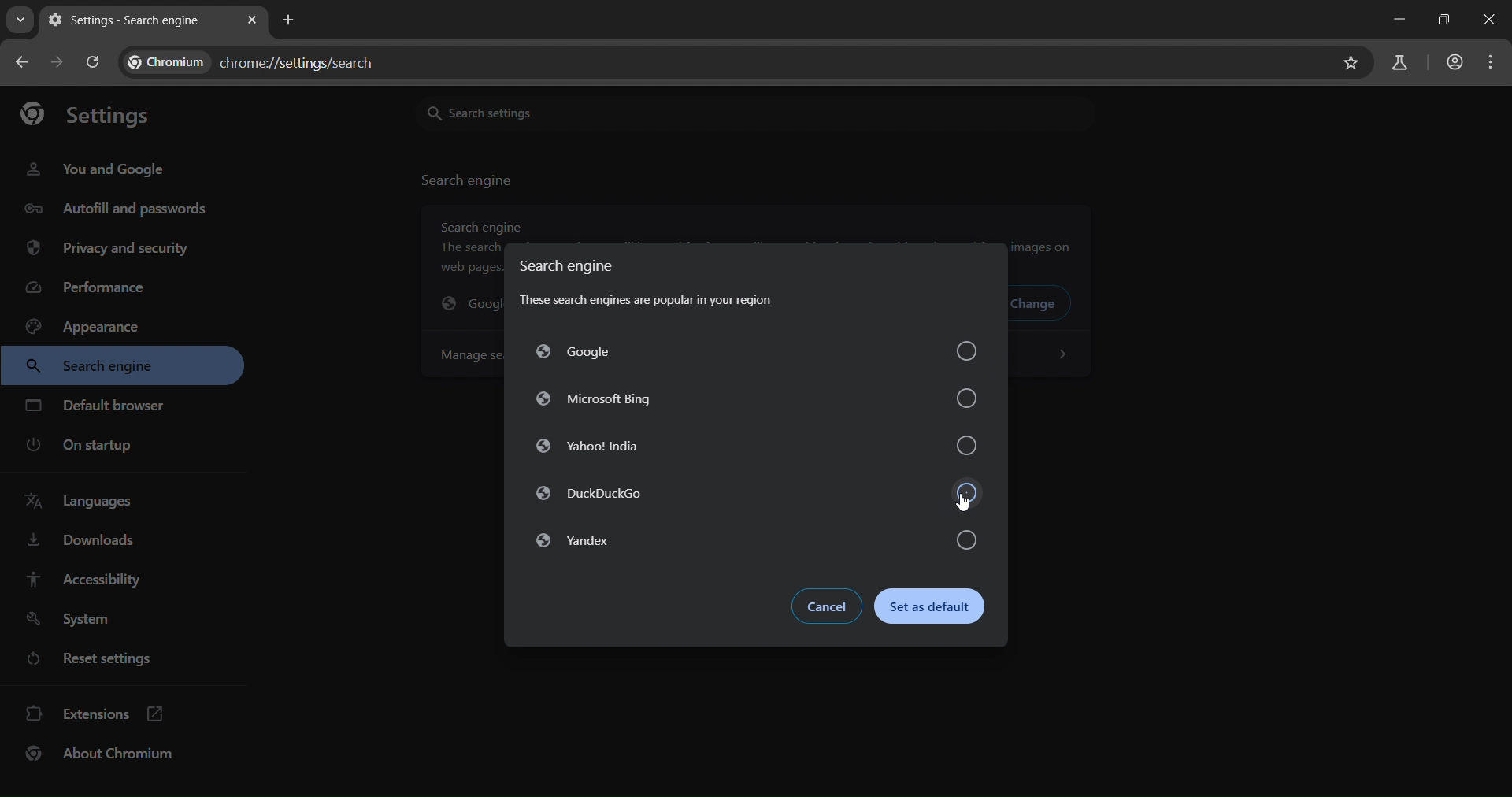  What do you see at coordinates (85, 112) in the screenshot?
I see `settings` at bounding box center [85, 112].